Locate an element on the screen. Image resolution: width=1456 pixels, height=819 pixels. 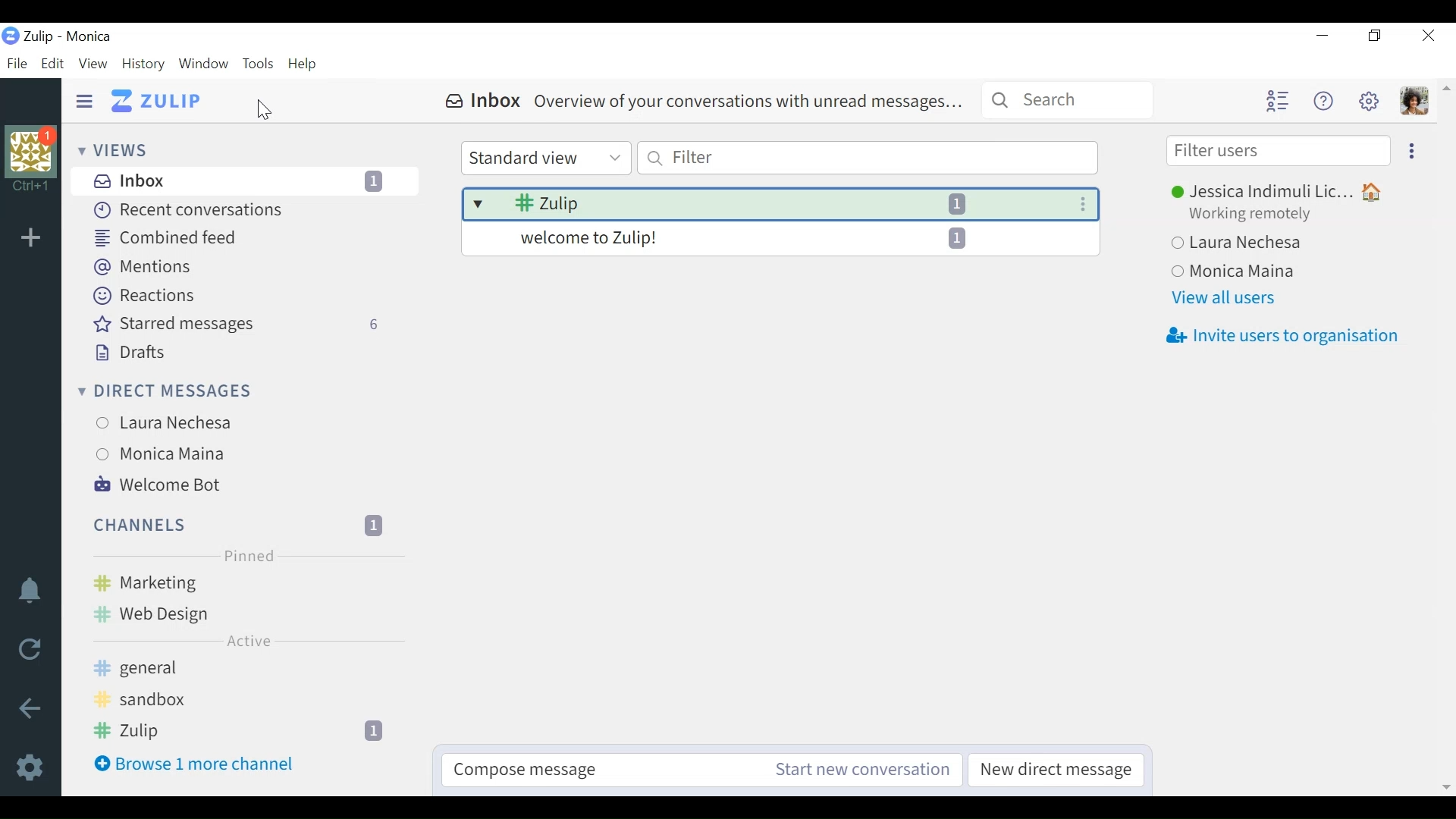
Close is located at coordinates (1426, 35).